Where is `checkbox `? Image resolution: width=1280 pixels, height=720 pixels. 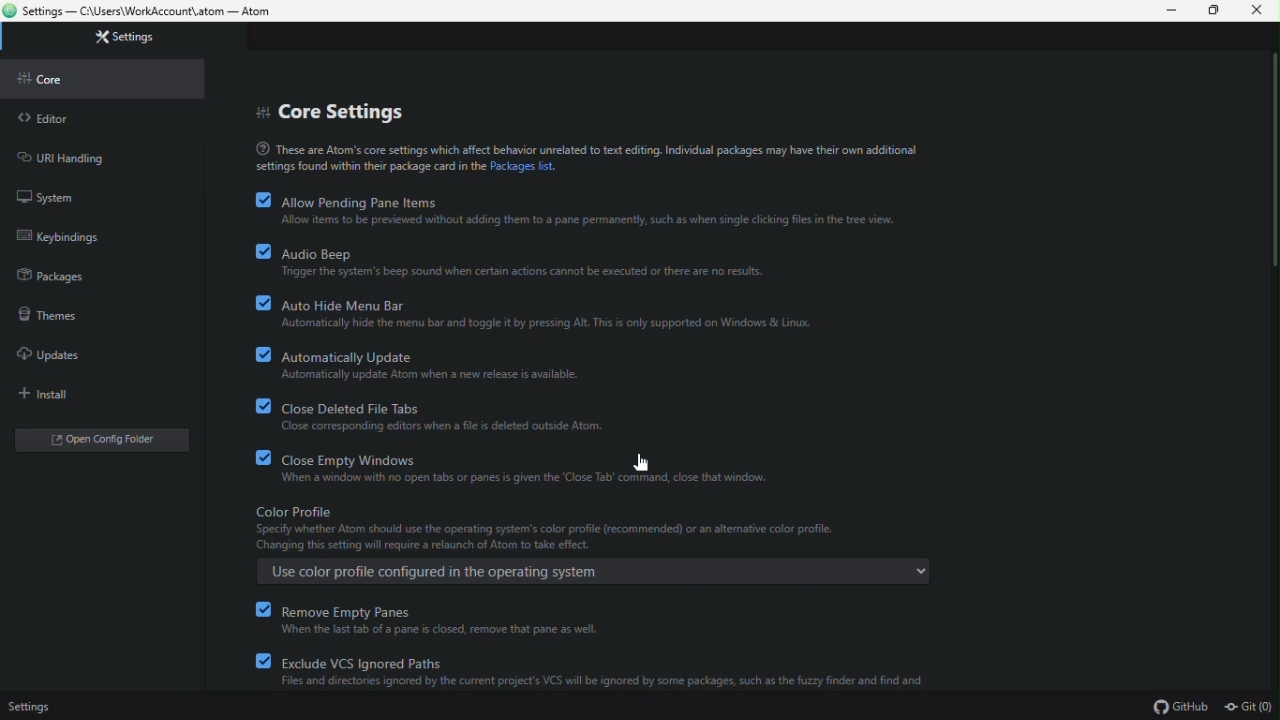
checkbox  is located at coordinates (255, 304).